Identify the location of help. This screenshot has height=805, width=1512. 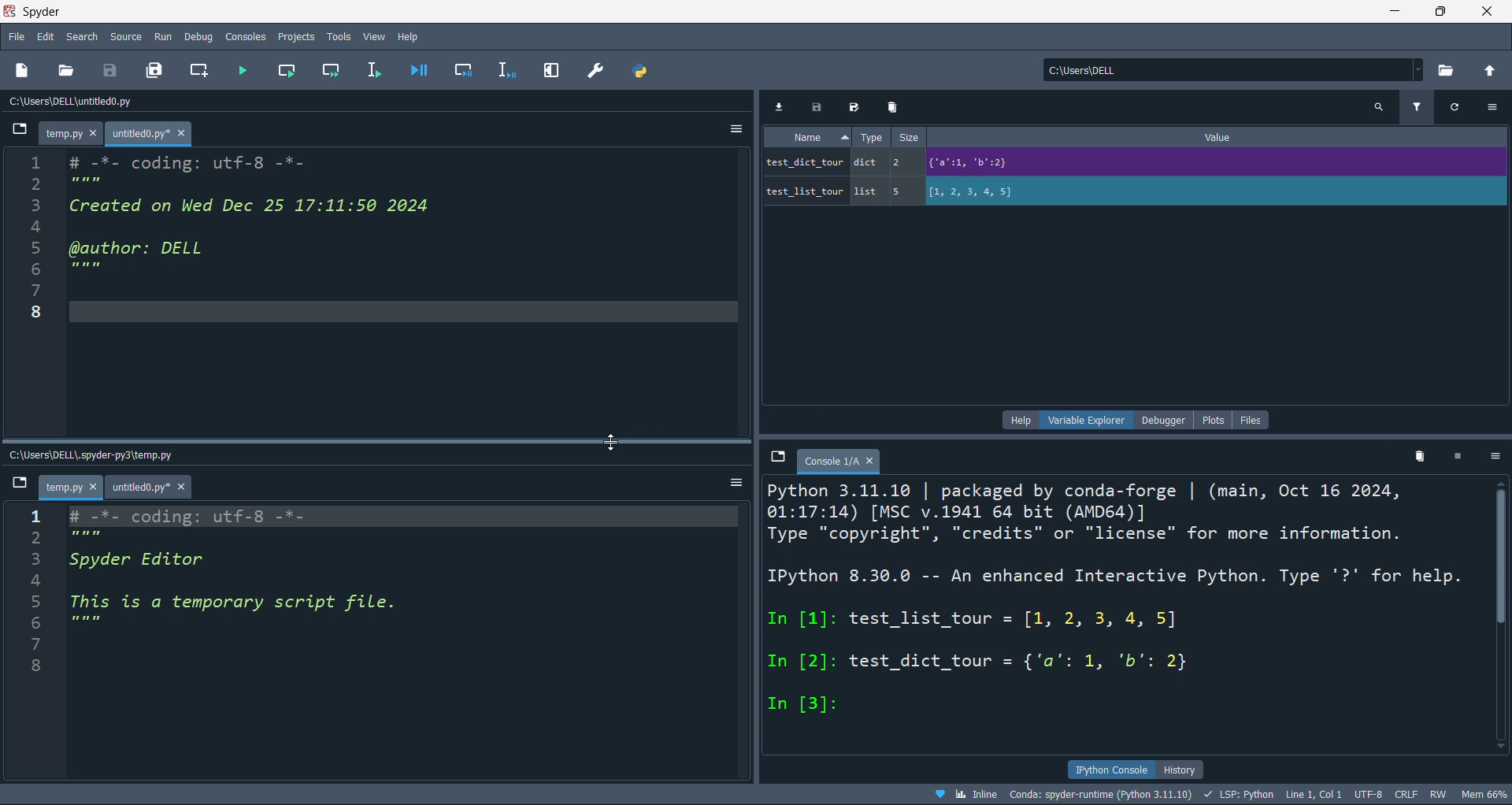
(409, 36).